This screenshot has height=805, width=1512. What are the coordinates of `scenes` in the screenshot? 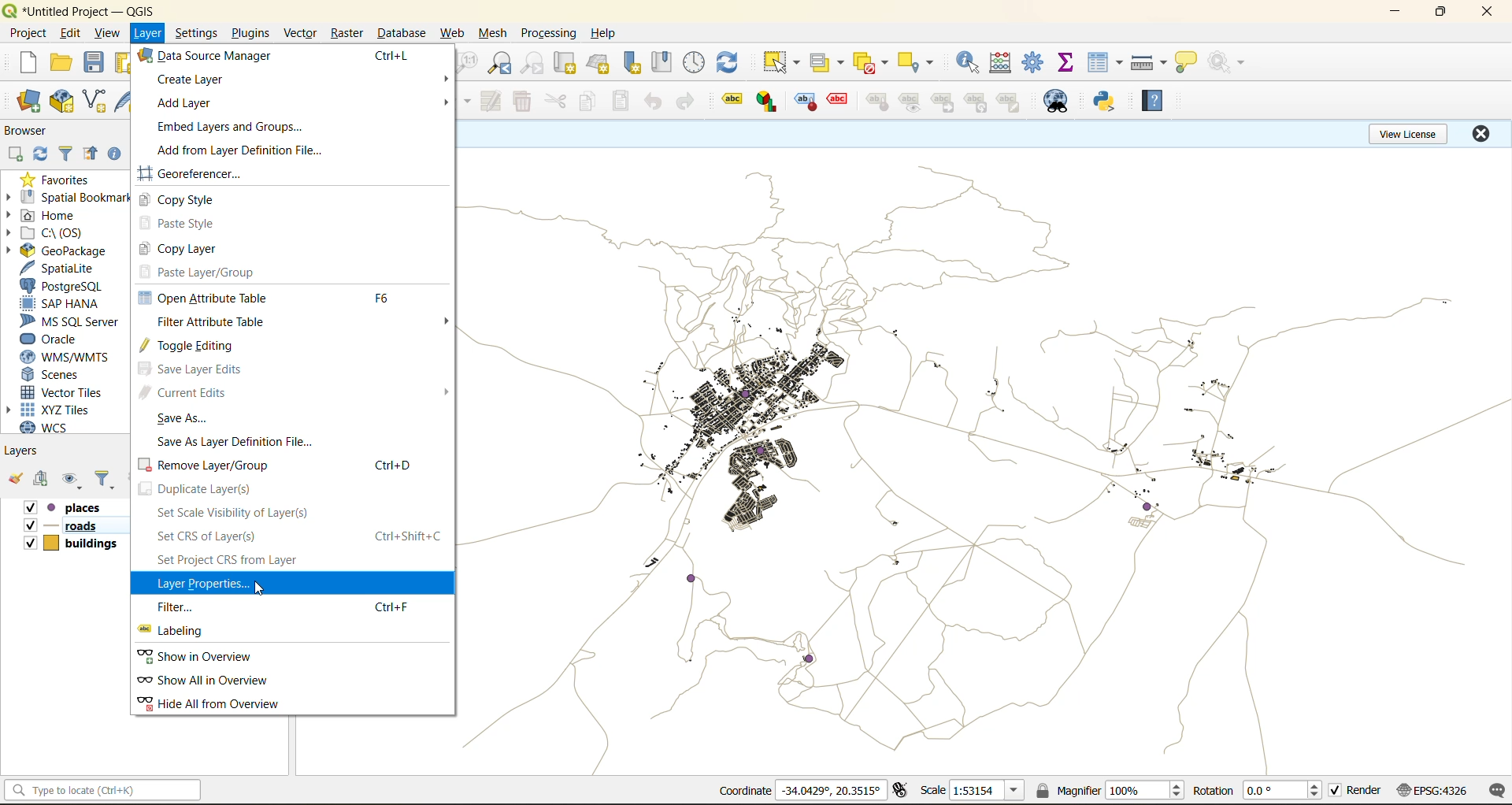 It's located at (65, 374).